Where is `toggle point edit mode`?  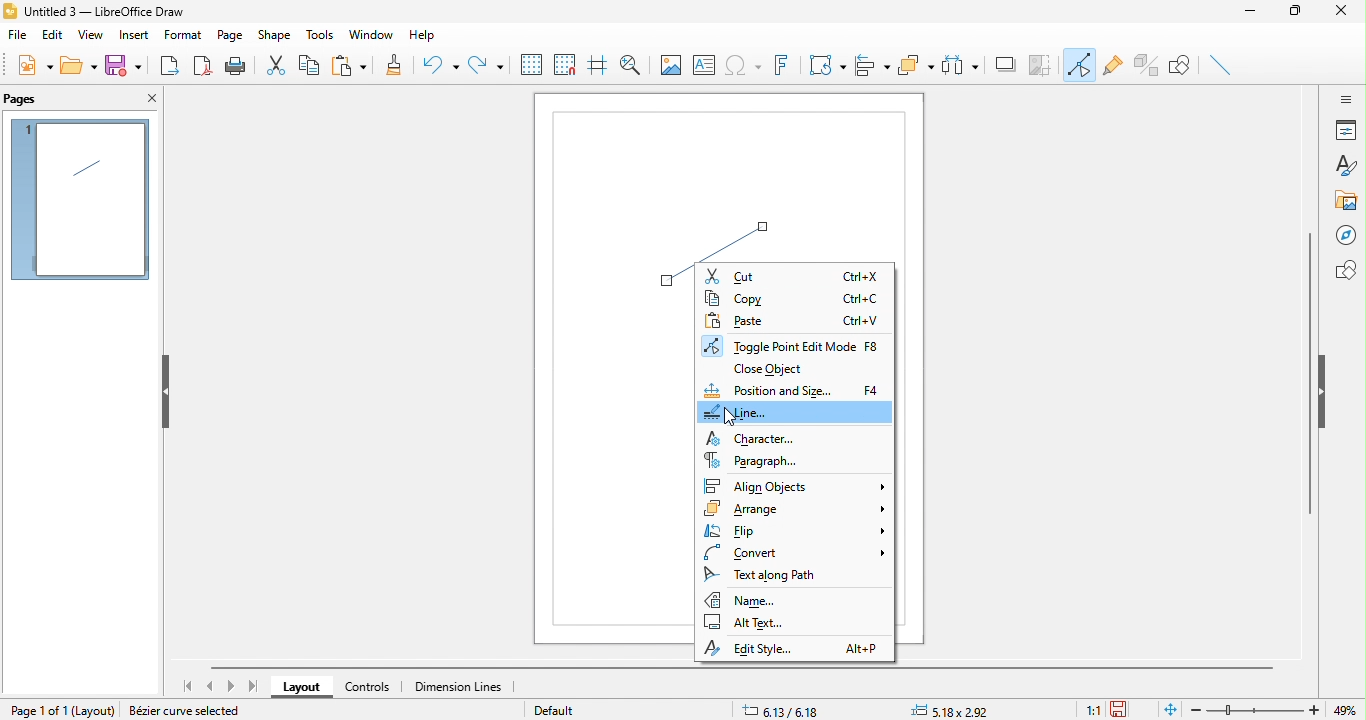
toggle point edit mode is located at coordinates (1081, 67).